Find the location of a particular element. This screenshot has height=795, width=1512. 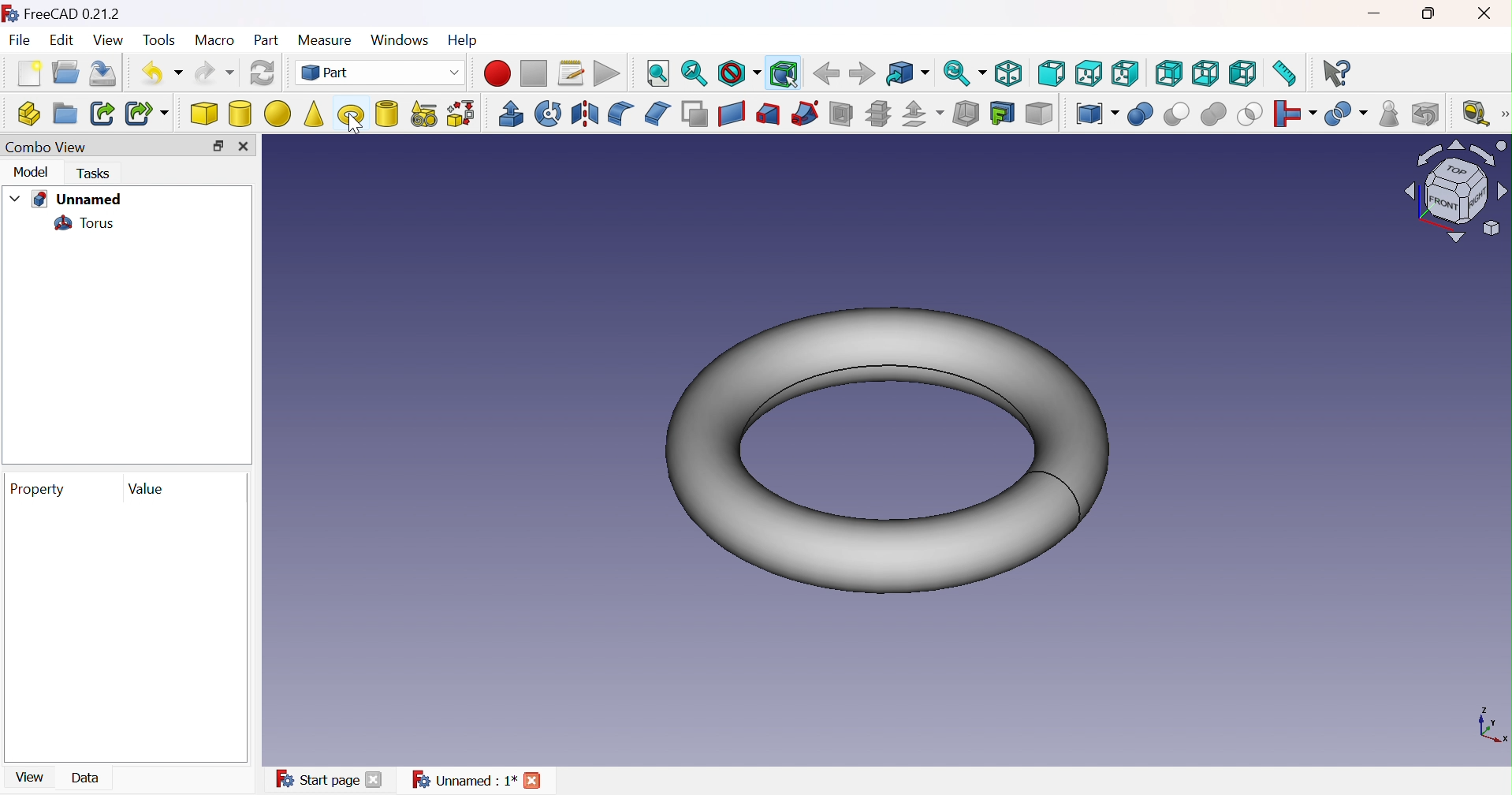

Combo View is located at coordinates (47, 146).